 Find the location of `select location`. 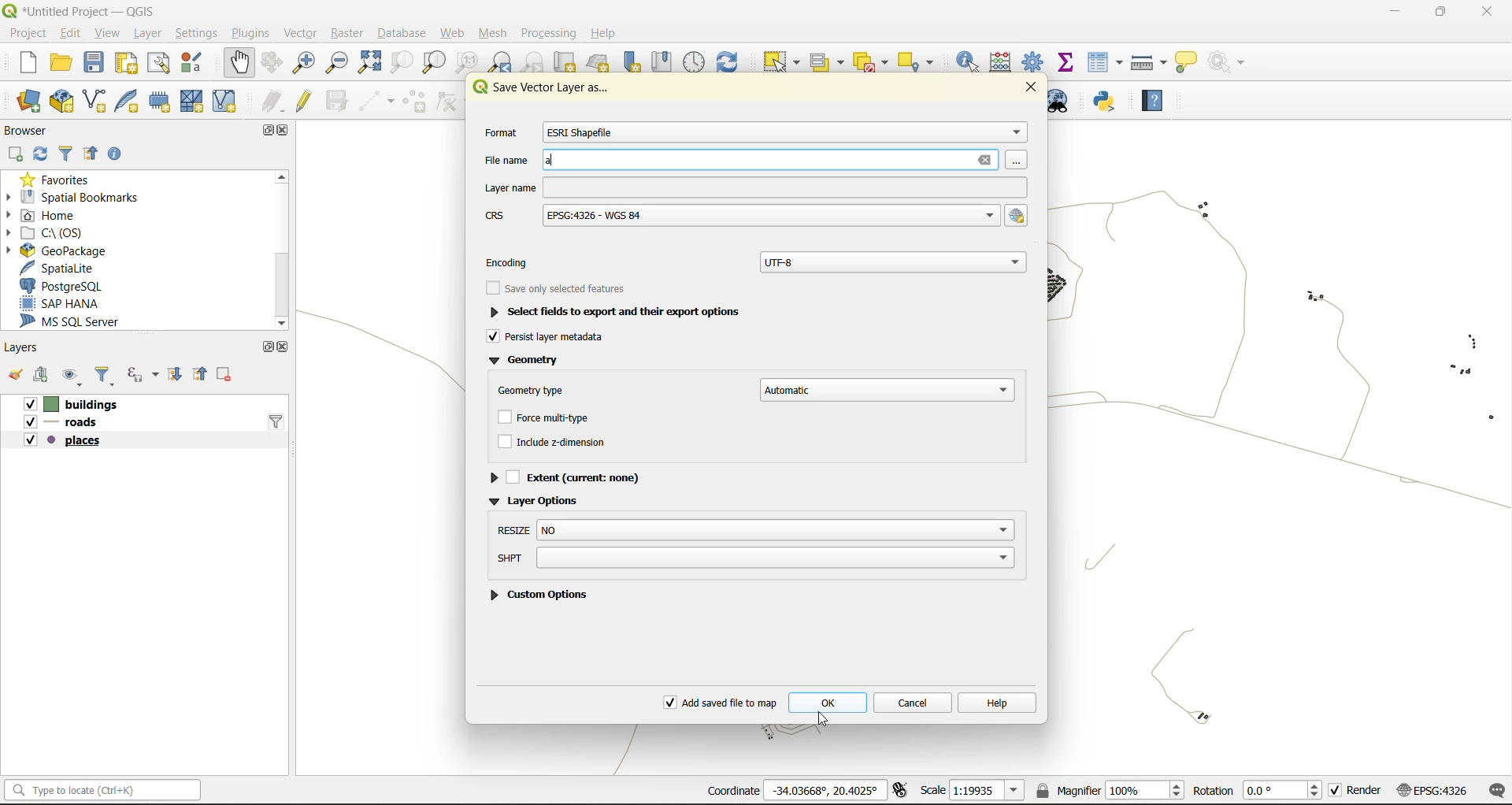

select location is located at coordinates (918, 61).